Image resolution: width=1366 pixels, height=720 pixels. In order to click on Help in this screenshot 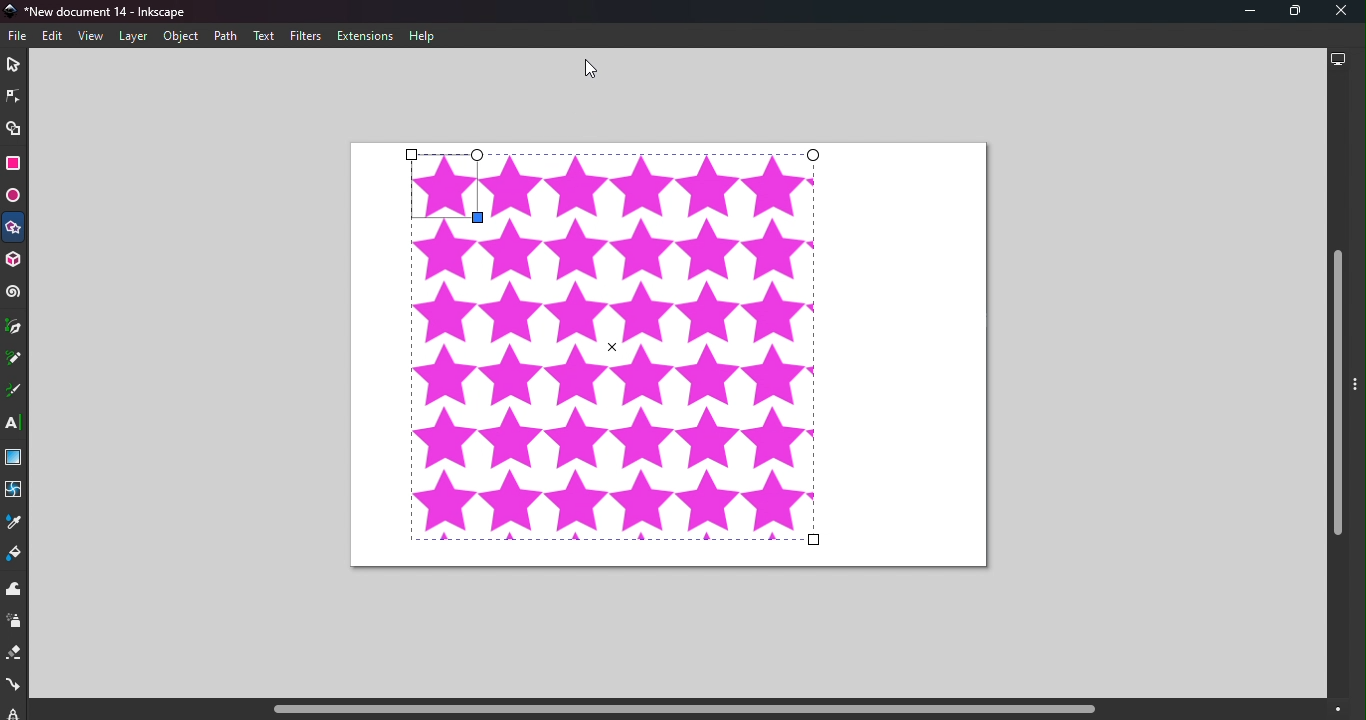, I will do `click(424, 37)`.